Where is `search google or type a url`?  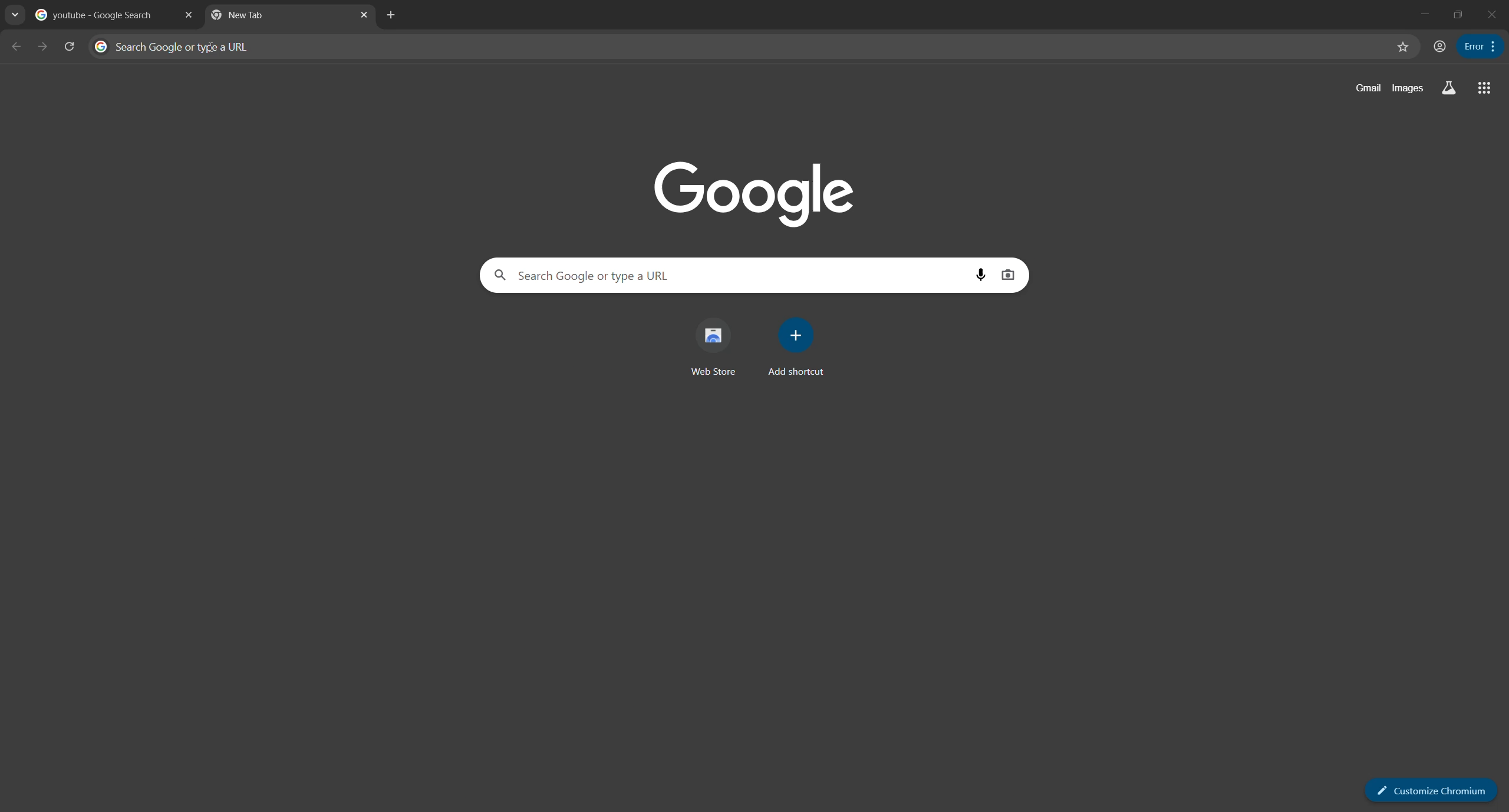 search google or type a url is located at coordinates (724, 276).